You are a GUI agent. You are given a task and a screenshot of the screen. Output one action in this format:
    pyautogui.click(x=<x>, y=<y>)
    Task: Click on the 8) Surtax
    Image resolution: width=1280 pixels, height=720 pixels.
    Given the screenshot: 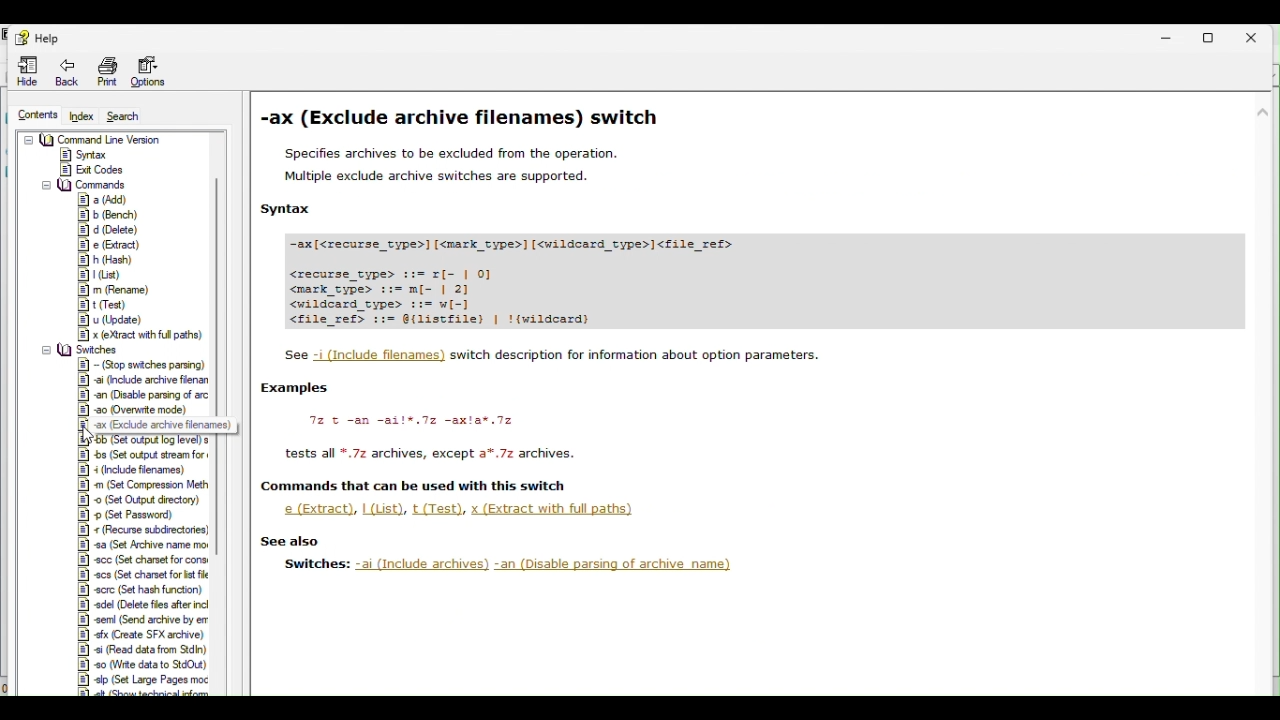 What is the action you would take?
    pyautogui.click(x=84, y=153)
    